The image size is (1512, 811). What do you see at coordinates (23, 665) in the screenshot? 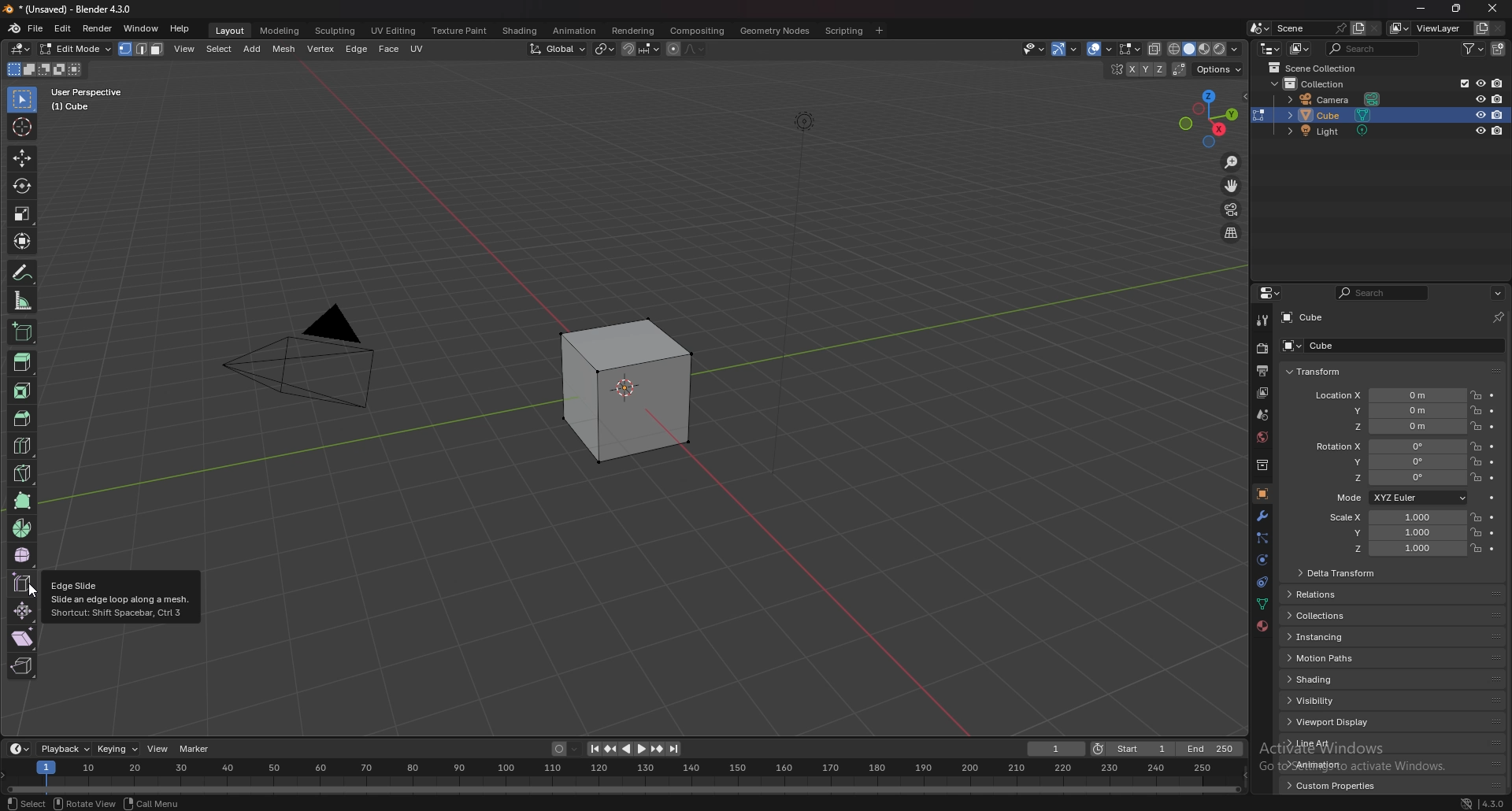
I see `rip region` at bounding box center [23, 665].